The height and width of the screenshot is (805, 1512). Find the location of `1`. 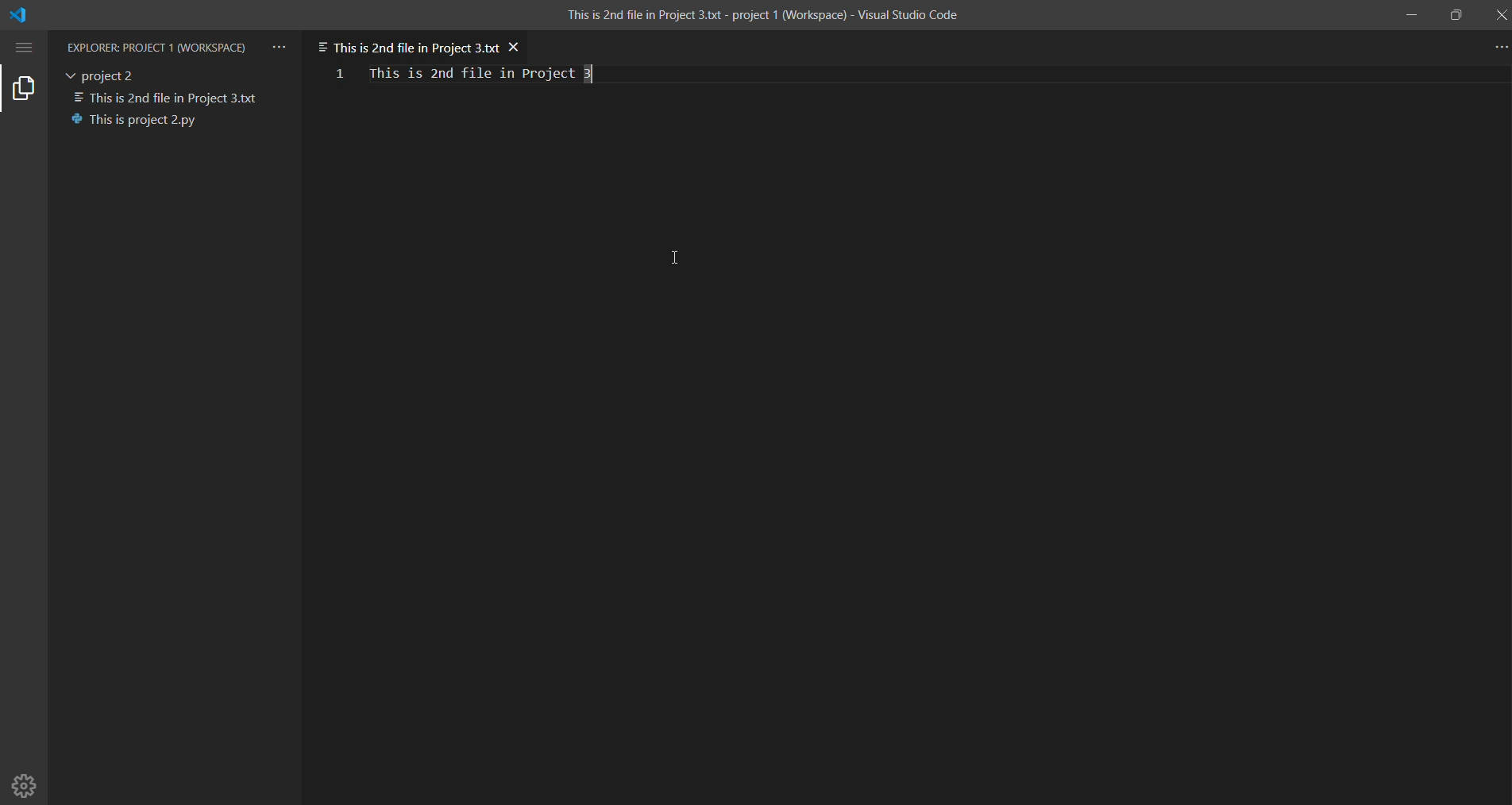

1 is located at coordinates (339, 73).